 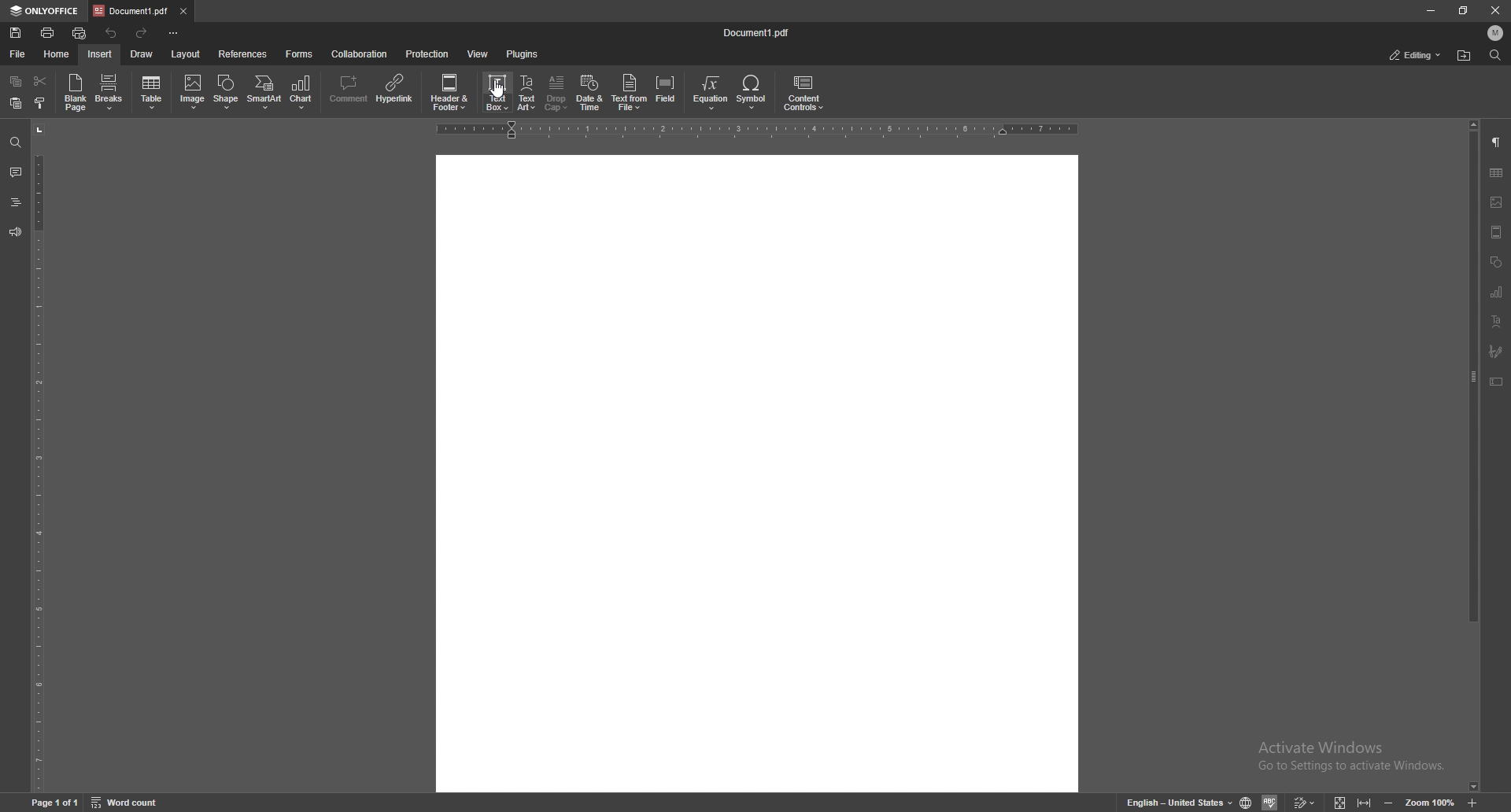 What do you see at coordinates (1247, 803) in the screenshot?
I see `set doc language` at bounding box center [1247, 803].